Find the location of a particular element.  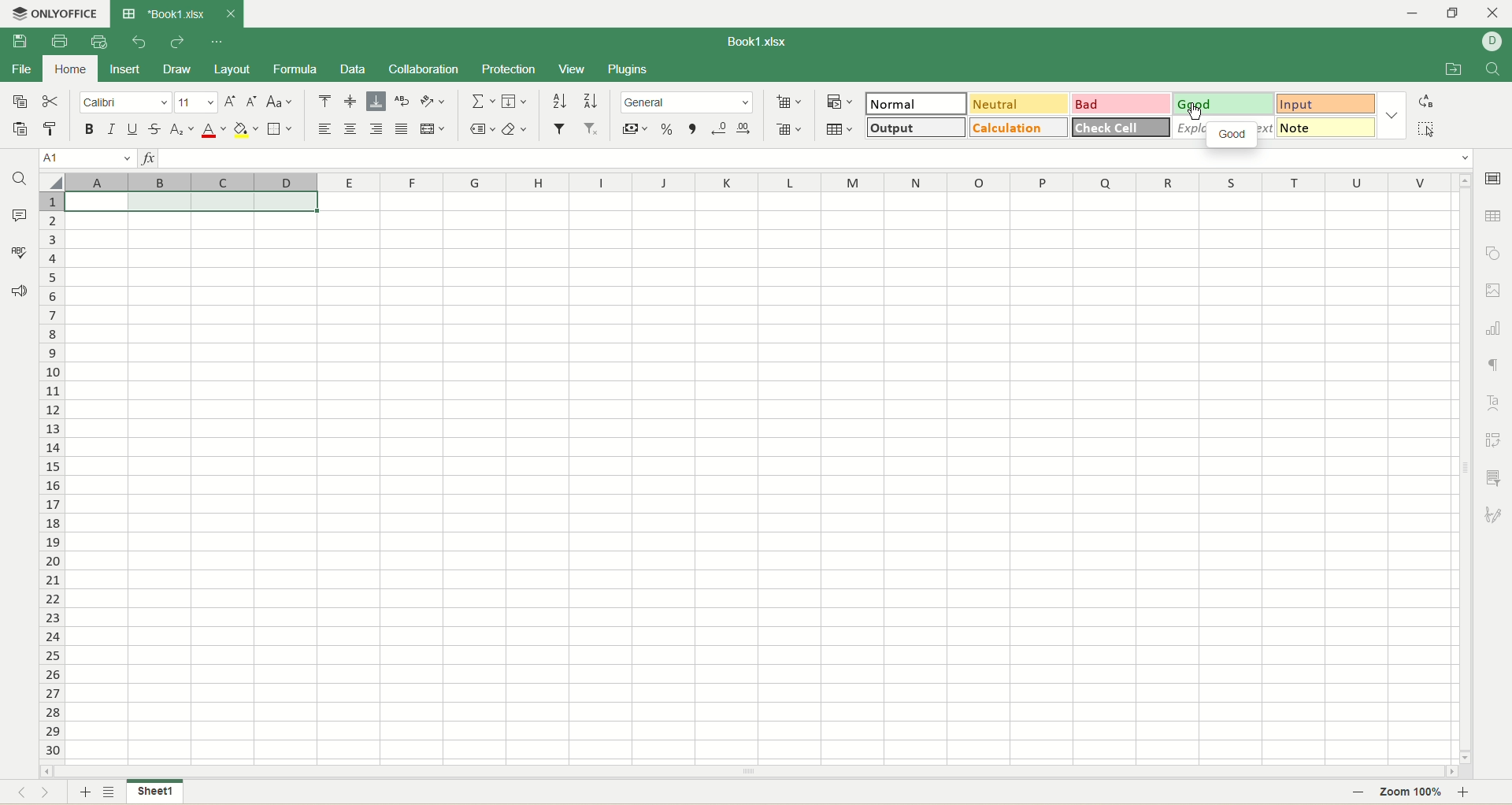

chart settings is located at coordinates (1494, 327).